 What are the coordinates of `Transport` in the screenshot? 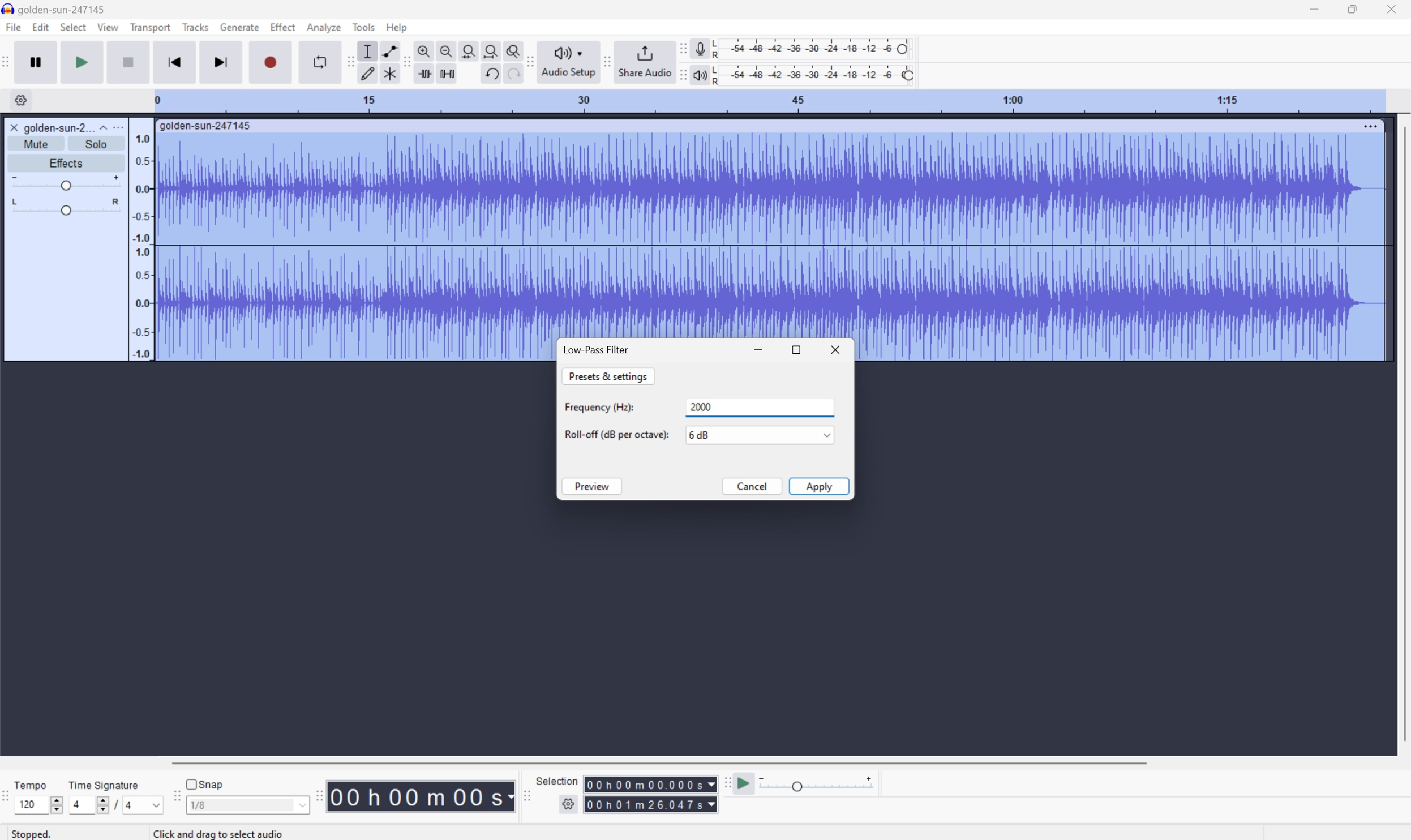 It's located at (151, 28).